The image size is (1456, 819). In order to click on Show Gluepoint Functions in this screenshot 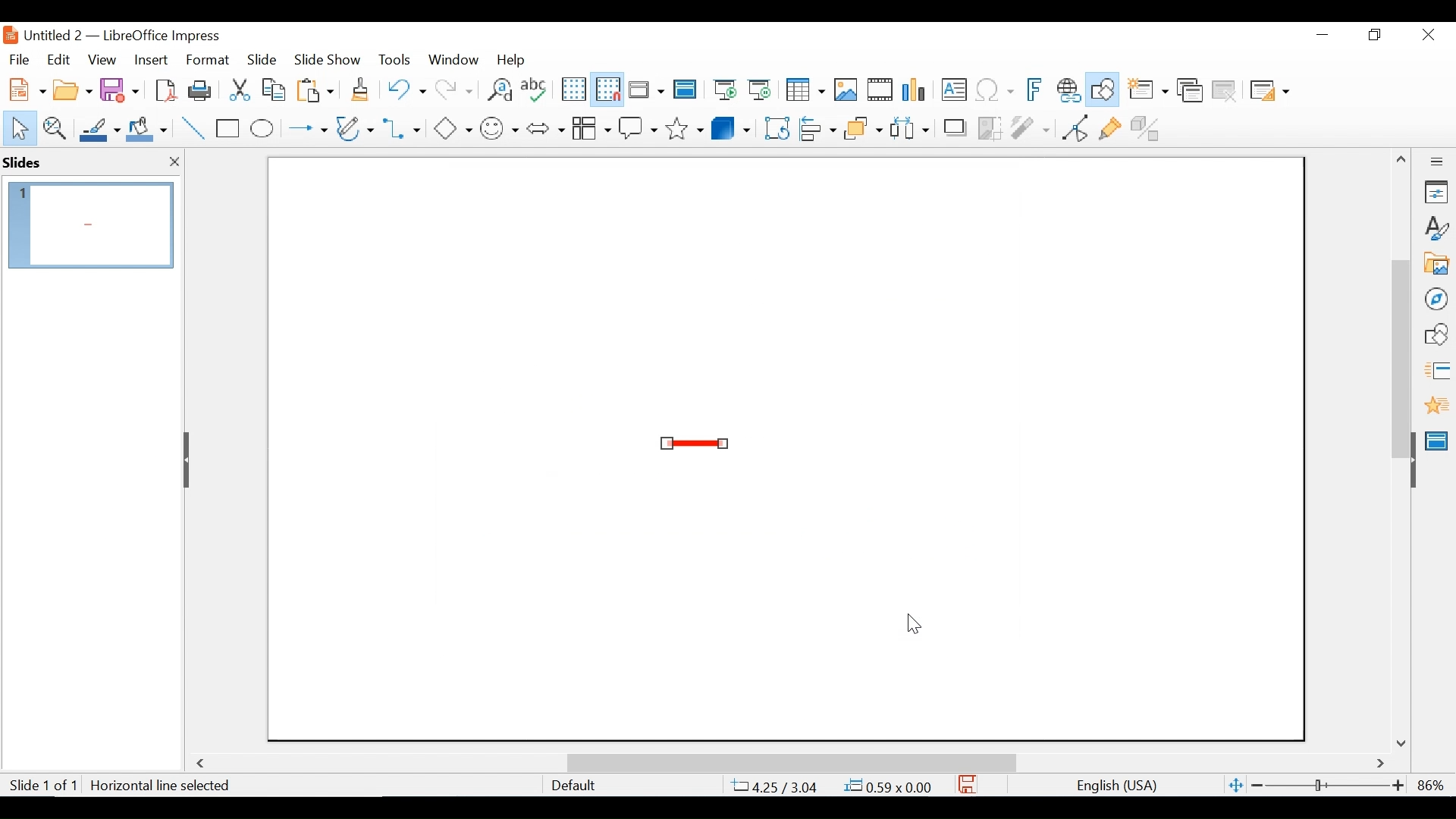, I will do `click(1109, 127)`.